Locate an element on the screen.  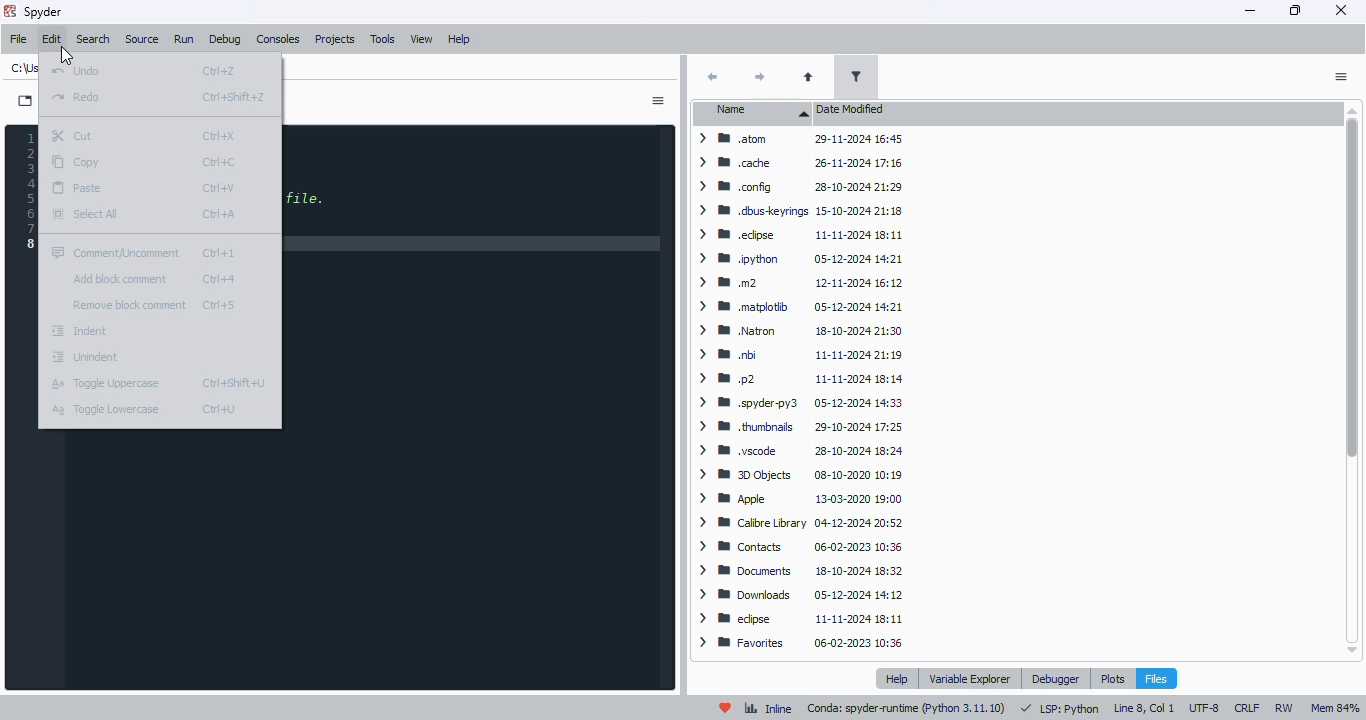
> BB Documents 18-10-2024 18:32 is located at coordinates (795, 570).